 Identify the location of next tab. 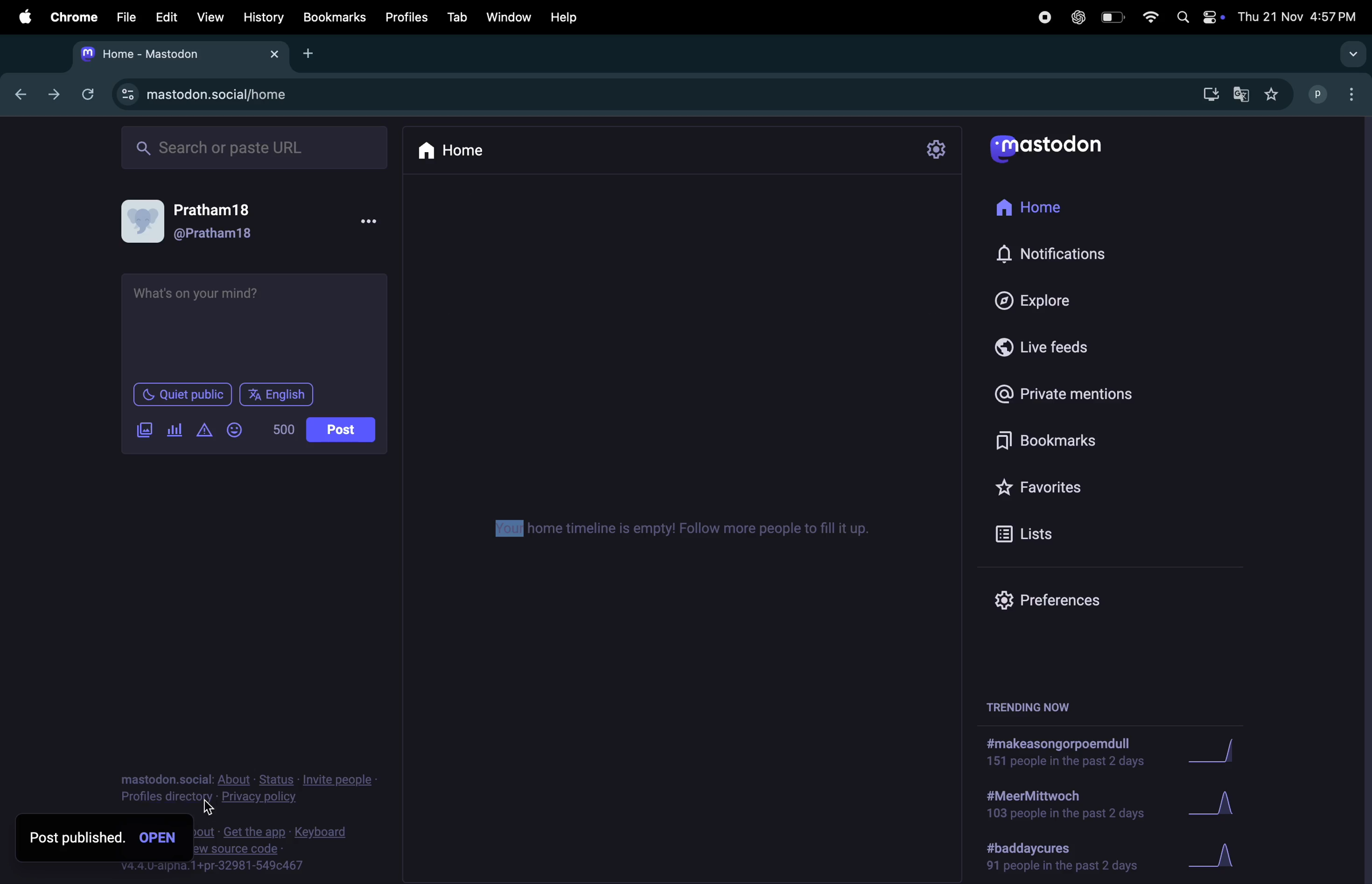
(55, 95).